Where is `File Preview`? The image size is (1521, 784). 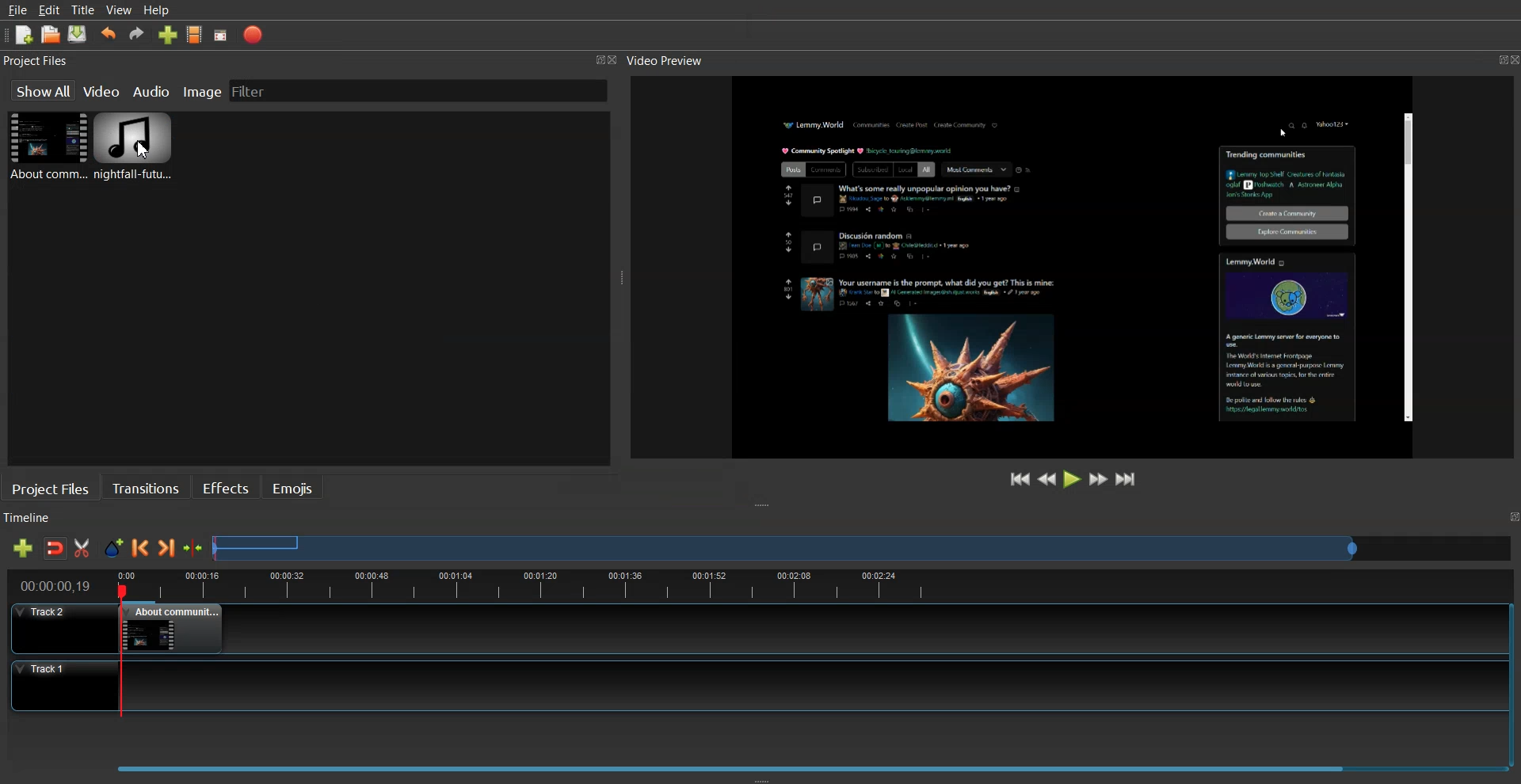 File Preview is located at coordinates (1050, 263).